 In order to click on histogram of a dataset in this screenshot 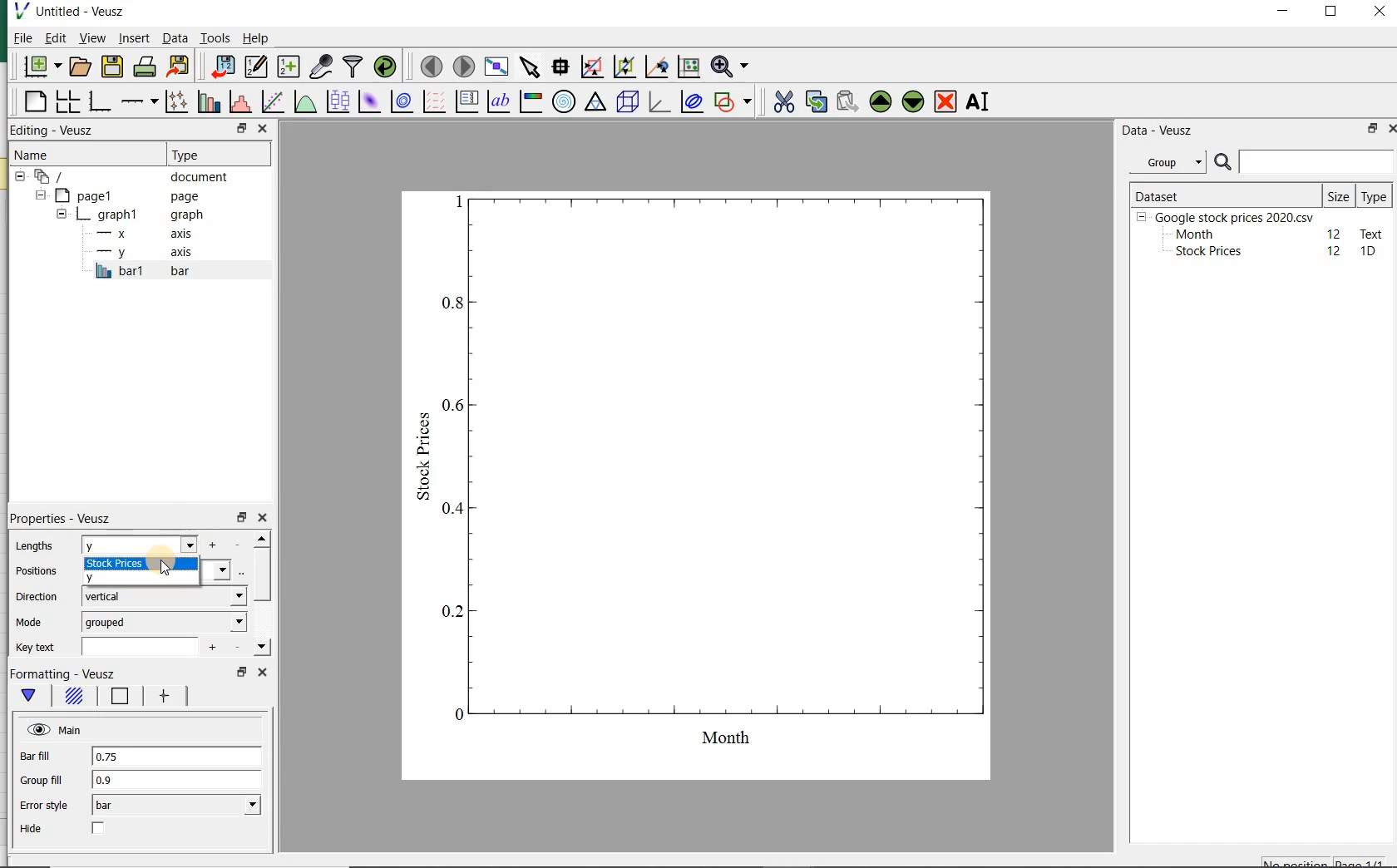, I will do `click(239, 104)`.